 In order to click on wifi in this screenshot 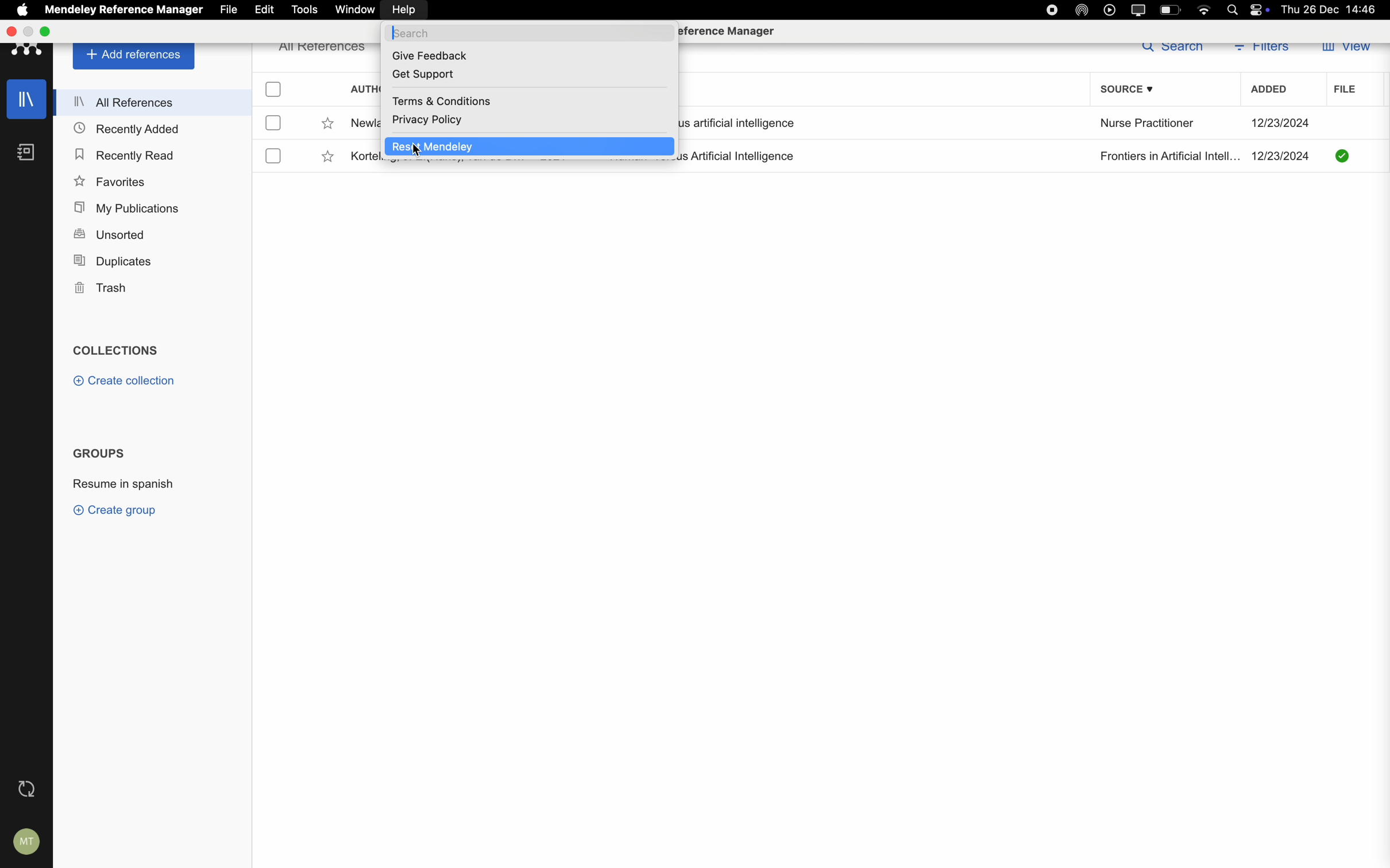, I will do `click(1207, 10)`.